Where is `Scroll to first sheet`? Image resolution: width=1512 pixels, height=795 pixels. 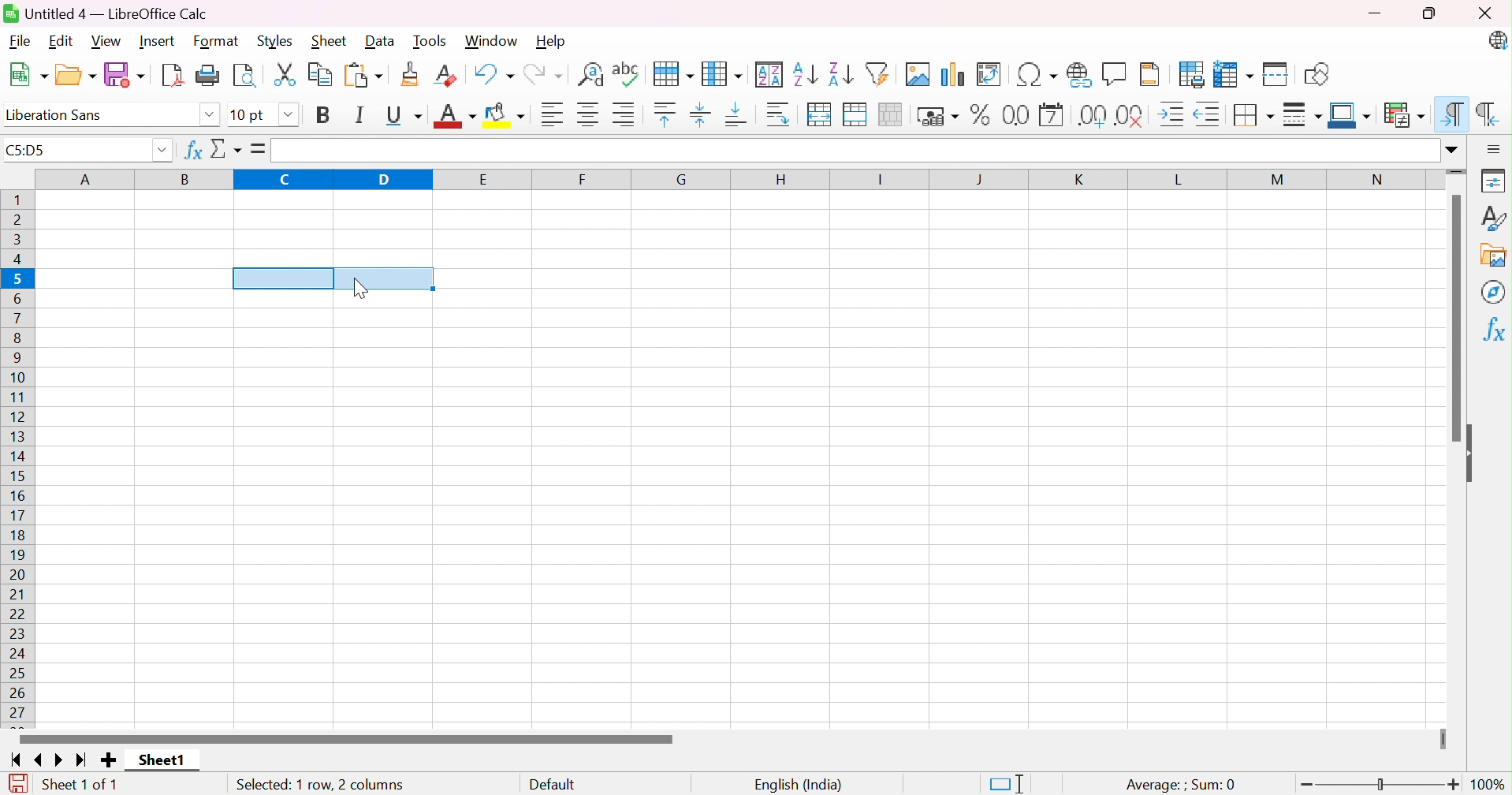 Scroll to first sheet is located at coordinates (13, 761).